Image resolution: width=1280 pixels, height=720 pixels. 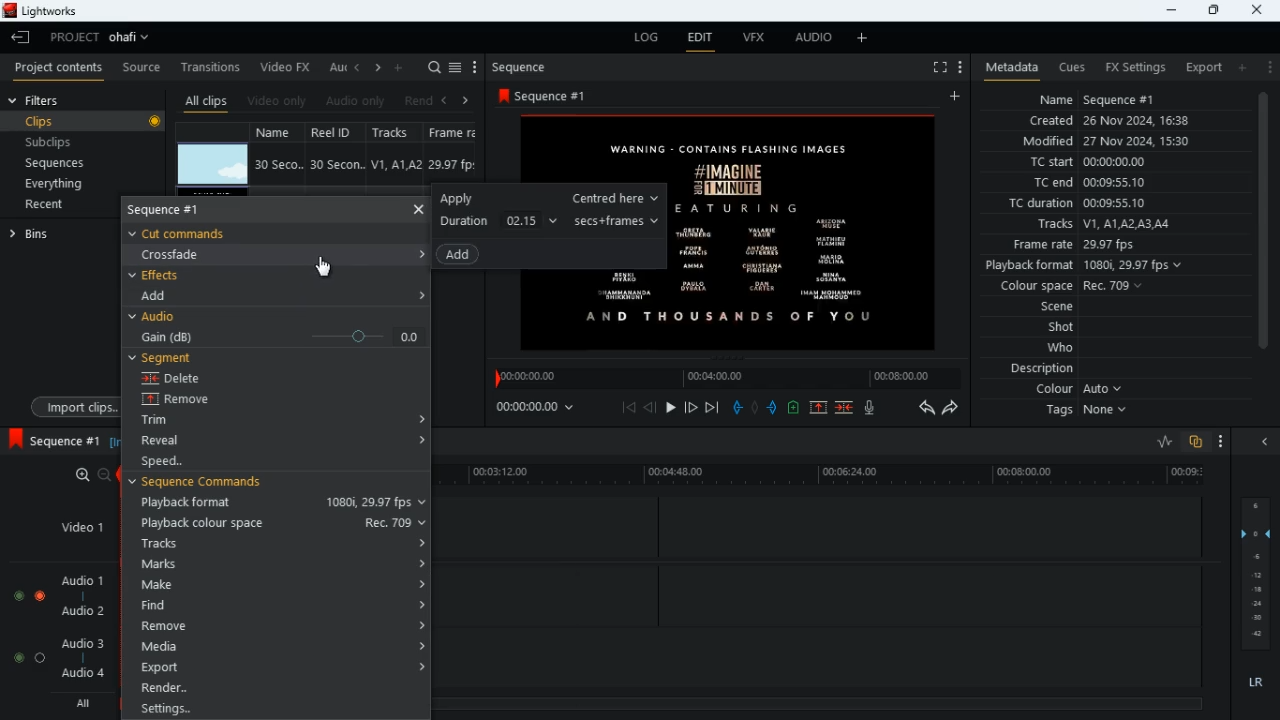 I want to click on close, so click(x=1259, y=9).